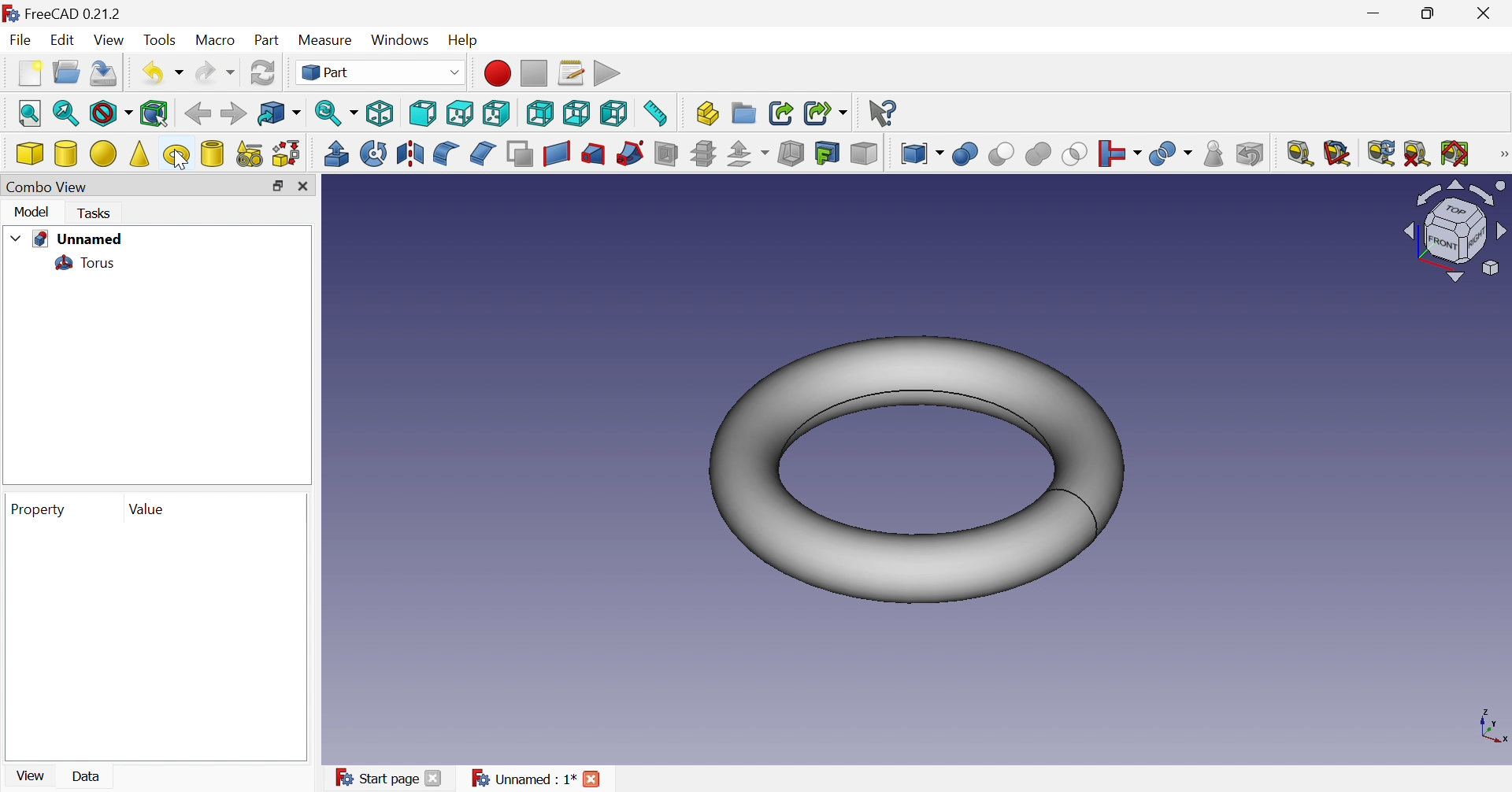  I want to click on Fit all, so click(31, 113).